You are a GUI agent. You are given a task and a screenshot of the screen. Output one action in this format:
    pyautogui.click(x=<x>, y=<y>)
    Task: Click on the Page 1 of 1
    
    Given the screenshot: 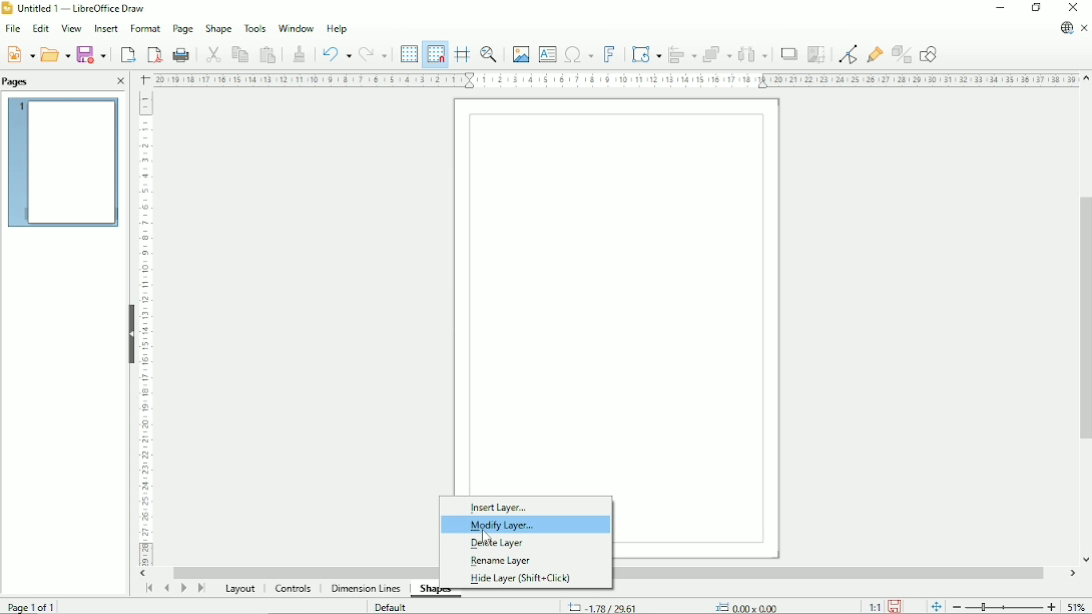 What is the action you would take?
    pyautogui.click(x=33, y=605)
    